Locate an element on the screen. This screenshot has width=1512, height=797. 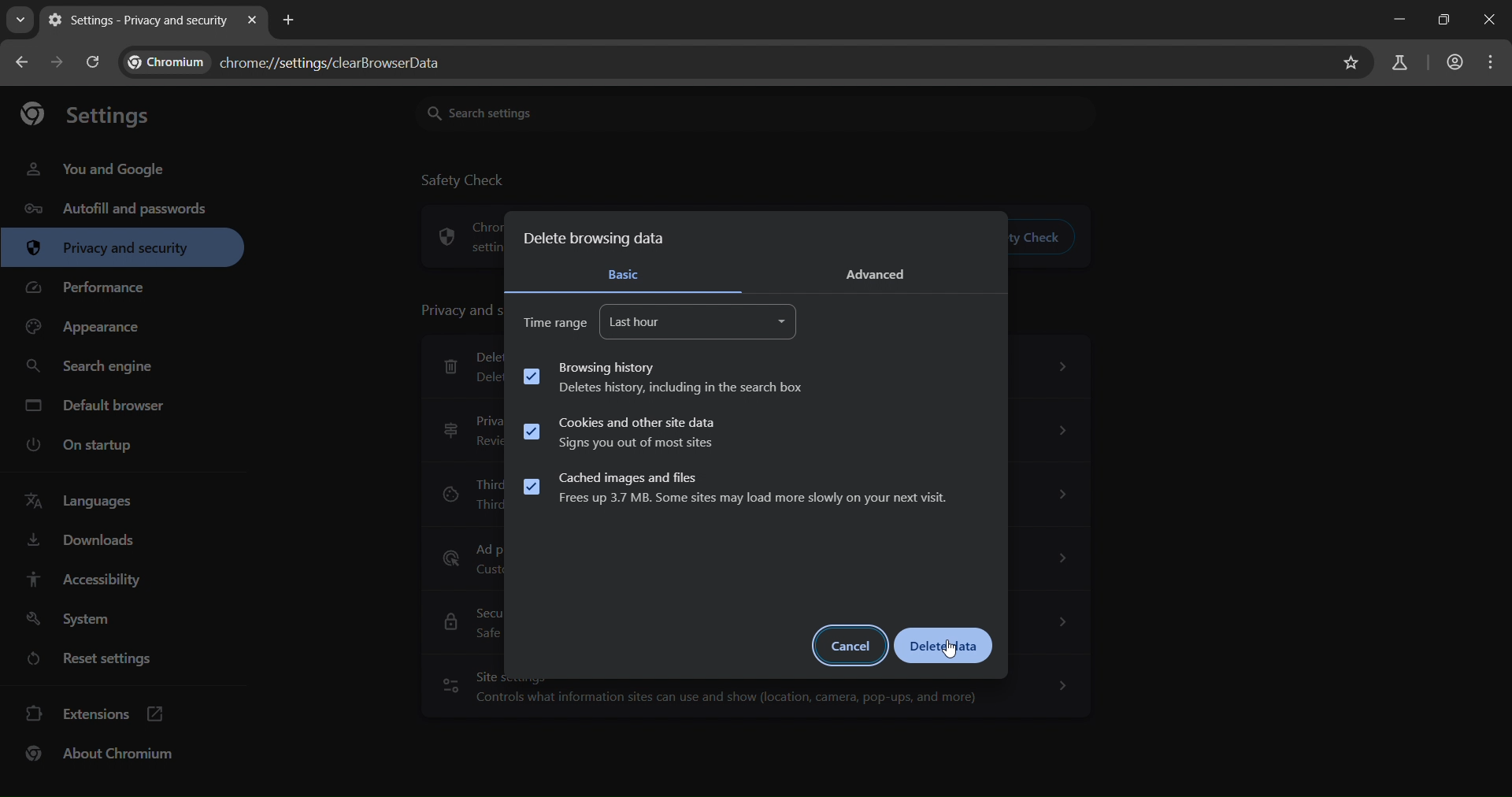
accessibility is located at coordinates (84, 579).